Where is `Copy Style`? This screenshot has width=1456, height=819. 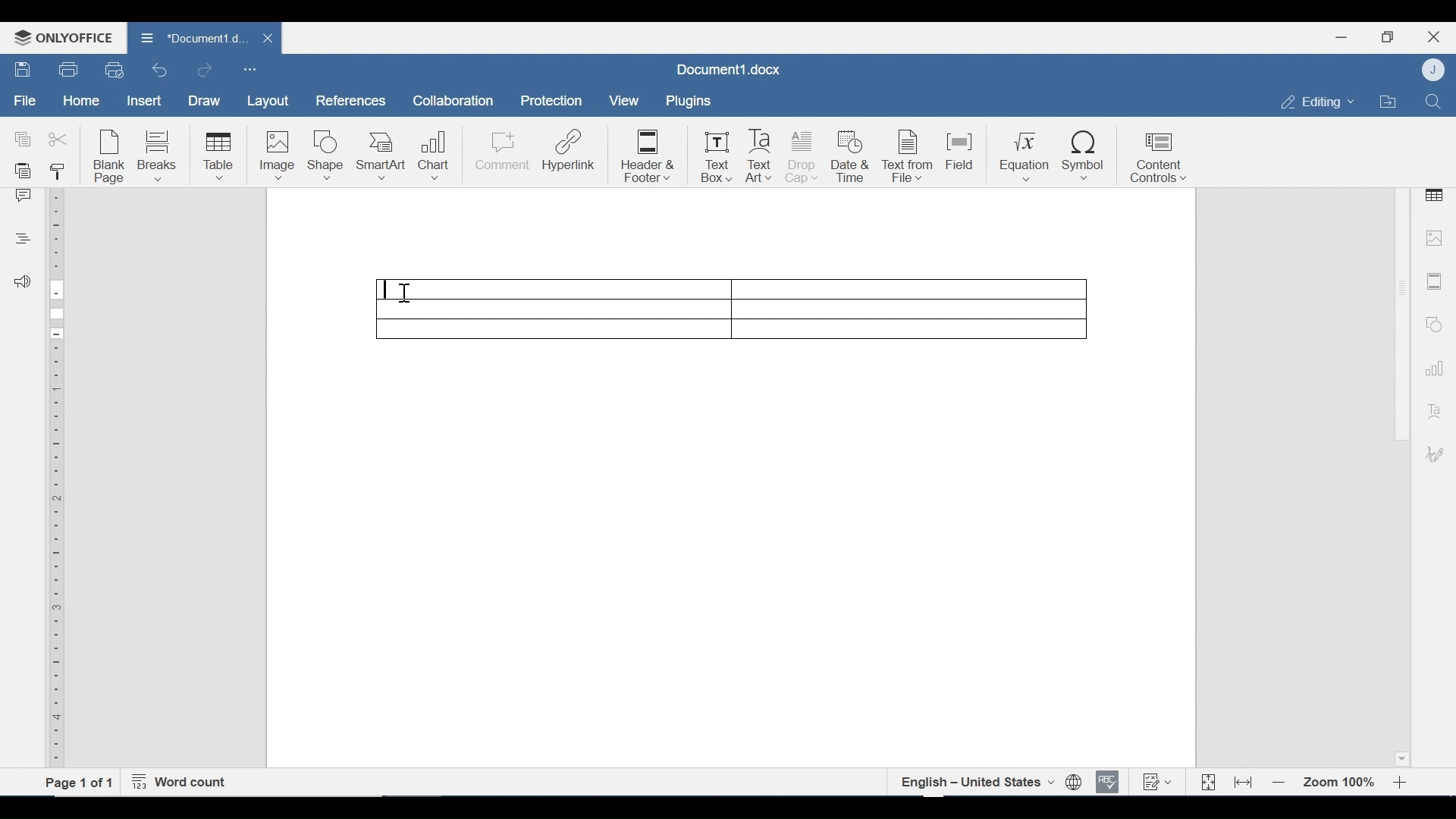
Copy Style is located at coordinates (60, 171).